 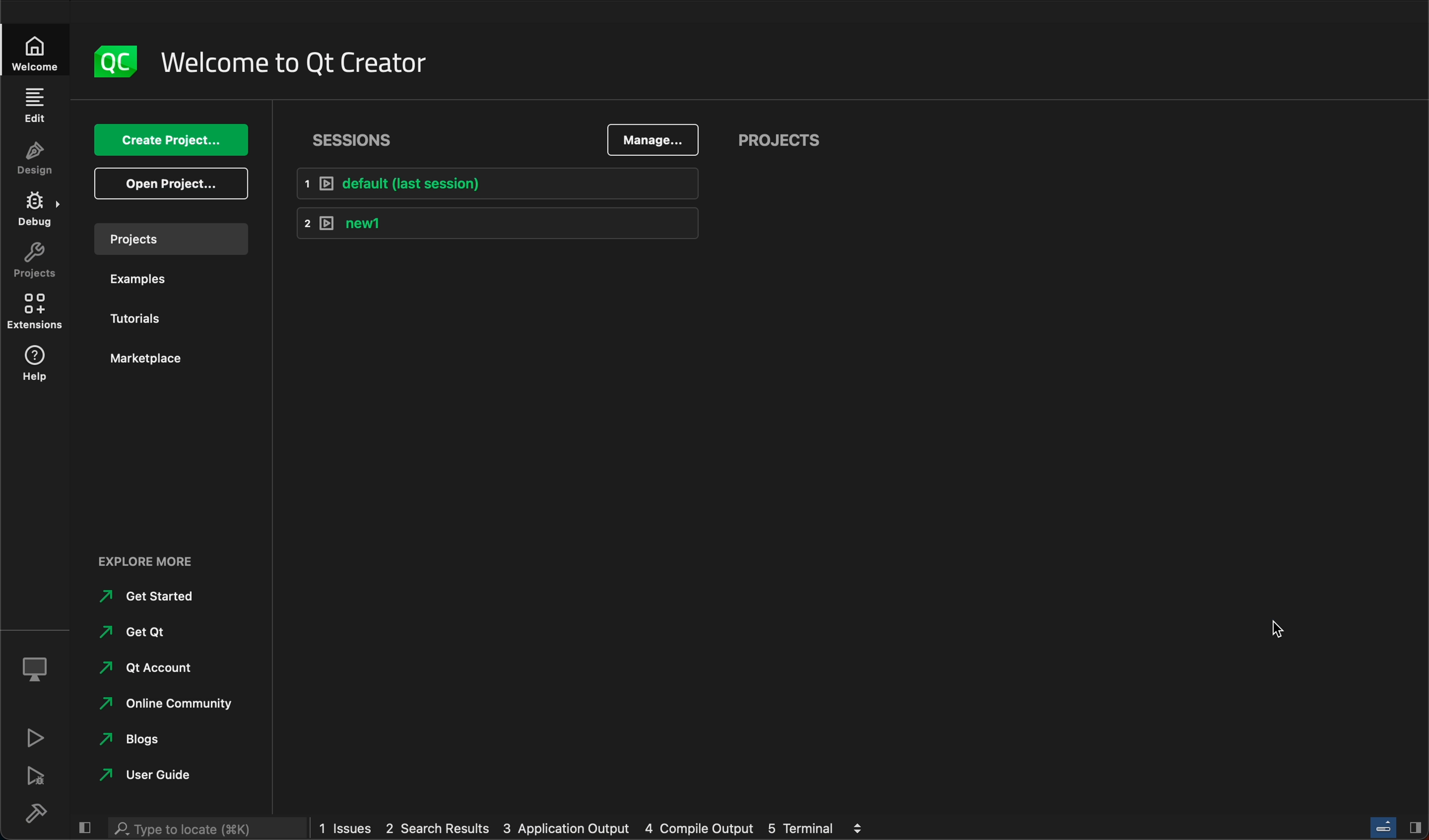 I want to click on Toggle progress bar, so click(x=1381, y=825).